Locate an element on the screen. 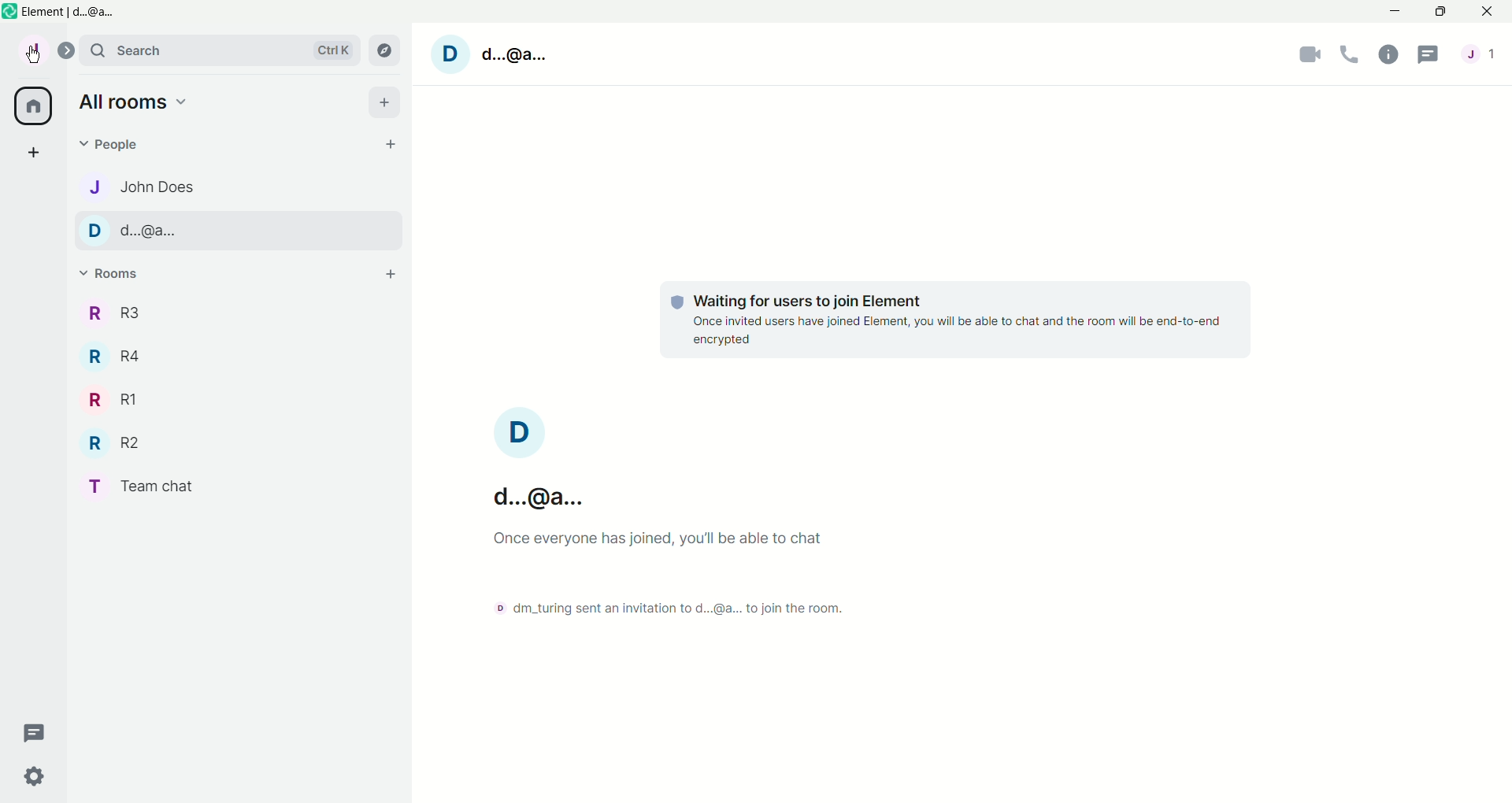  Minimize is located at coordinates (1396, 10).